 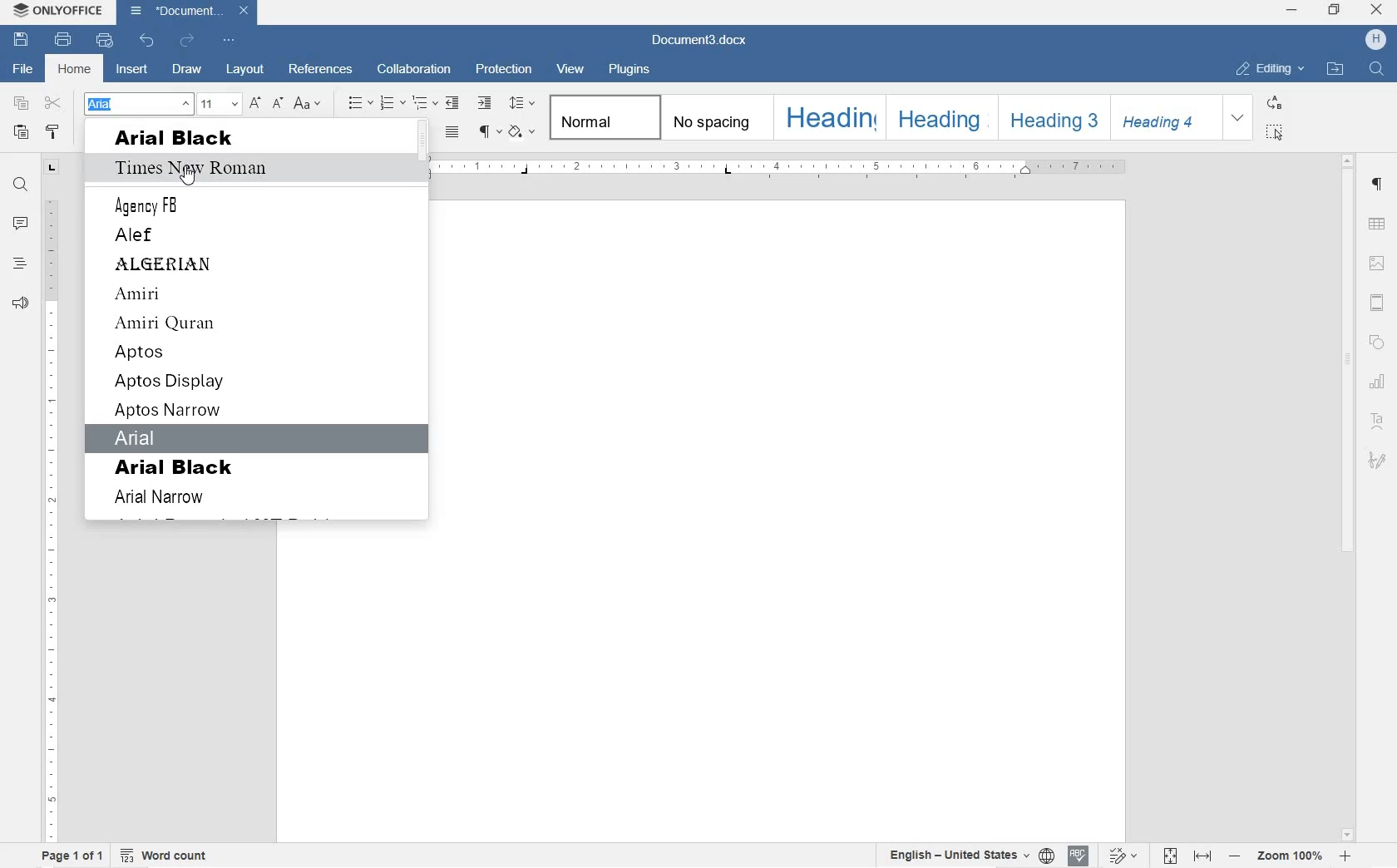 I want to click on arial, so click(x=185, y=438).